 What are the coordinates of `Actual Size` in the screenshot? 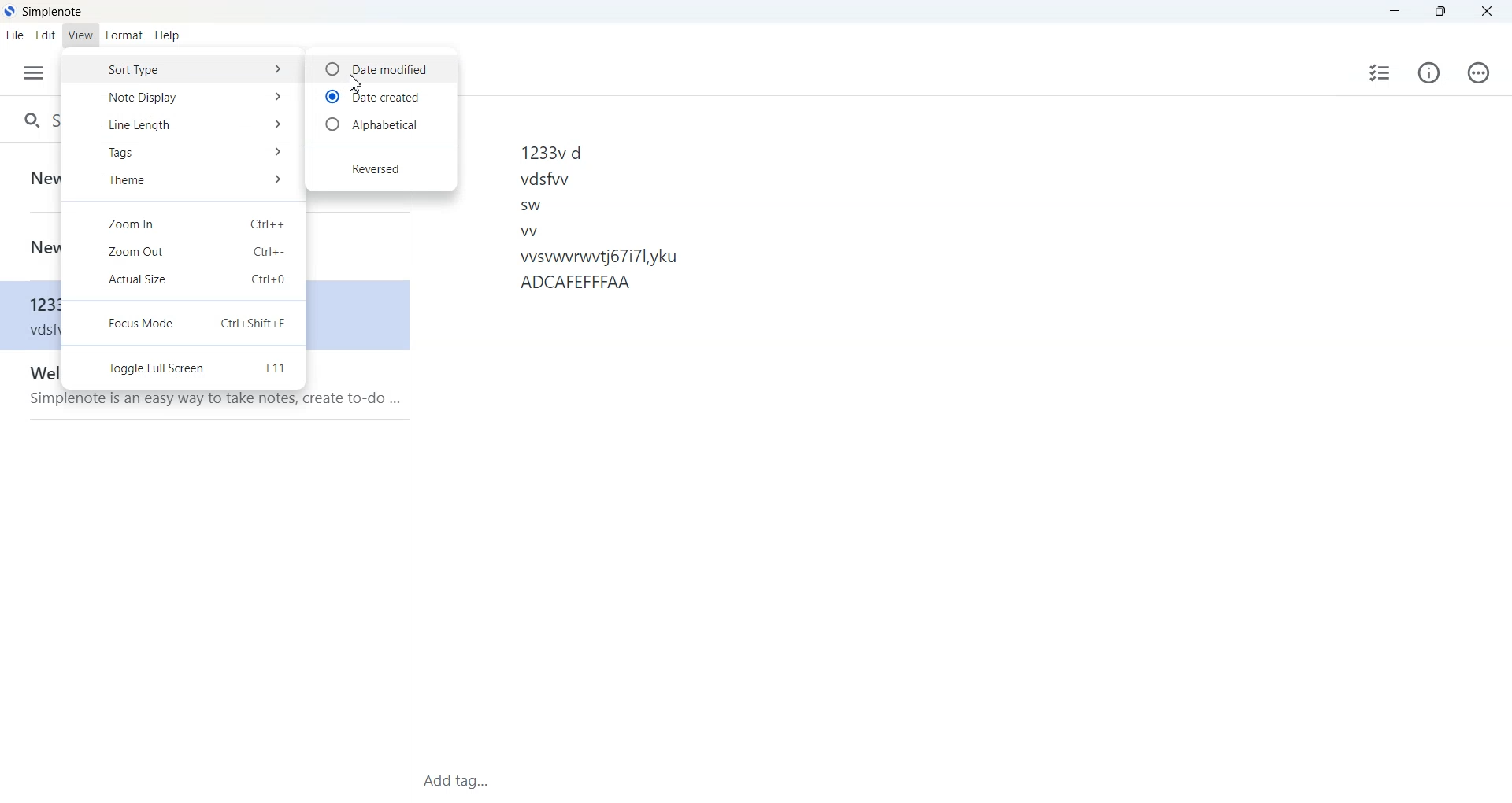 It's located at (183, 280).